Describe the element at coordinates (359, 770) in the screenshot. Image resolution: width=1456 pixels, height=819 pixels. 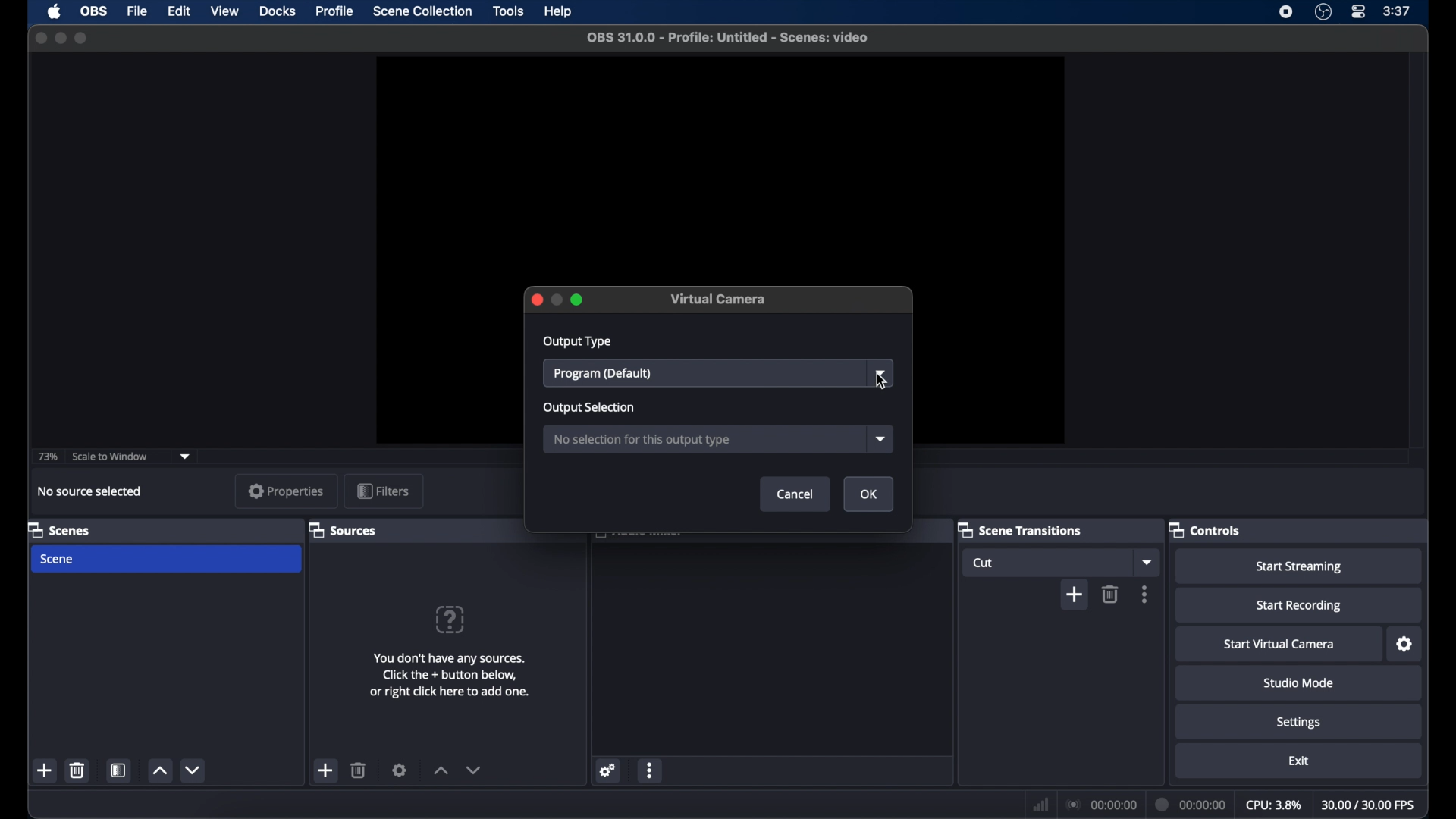
I see `delete` at that location.